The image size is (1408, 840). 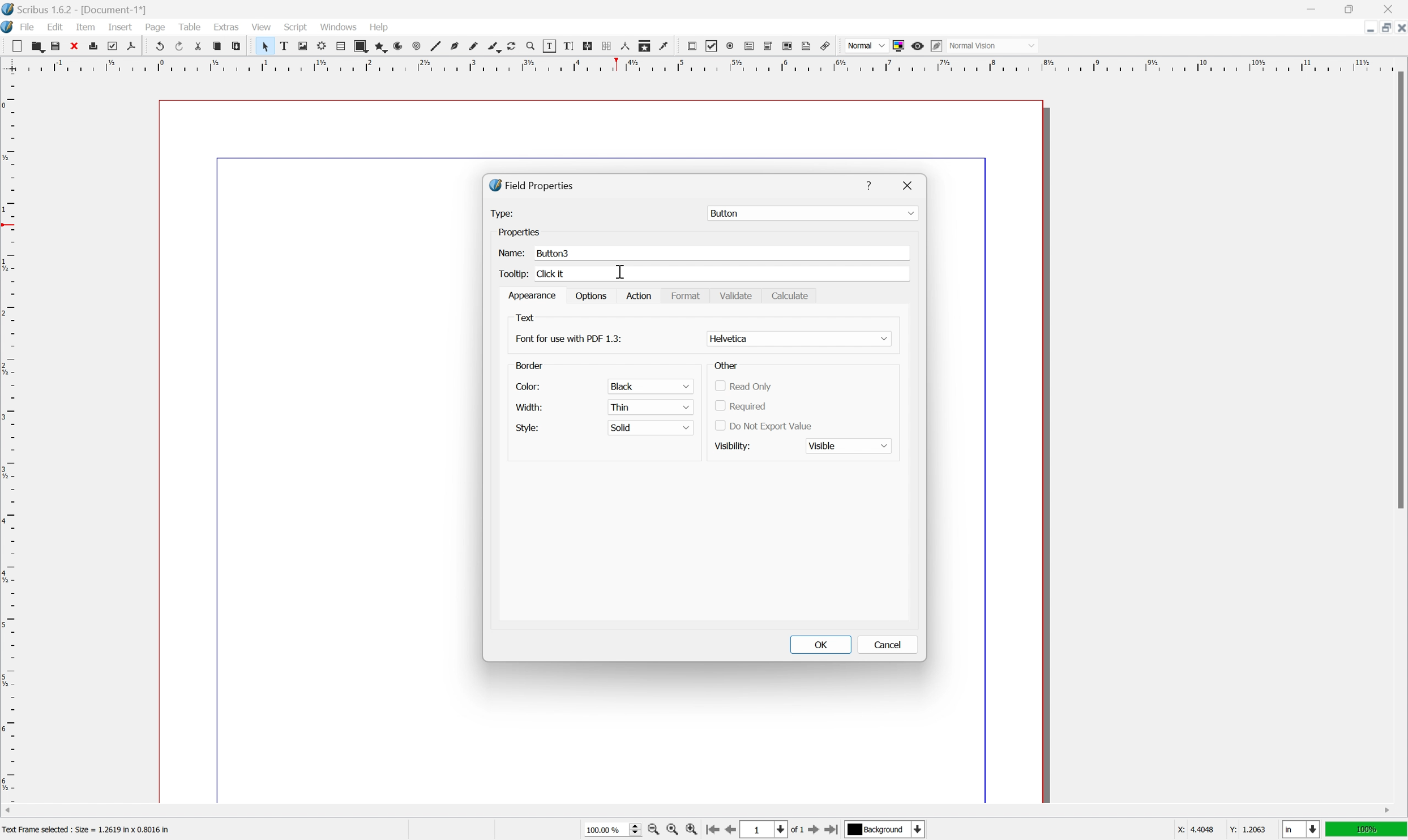 I want to click on normal, so click(x=866, y=45).